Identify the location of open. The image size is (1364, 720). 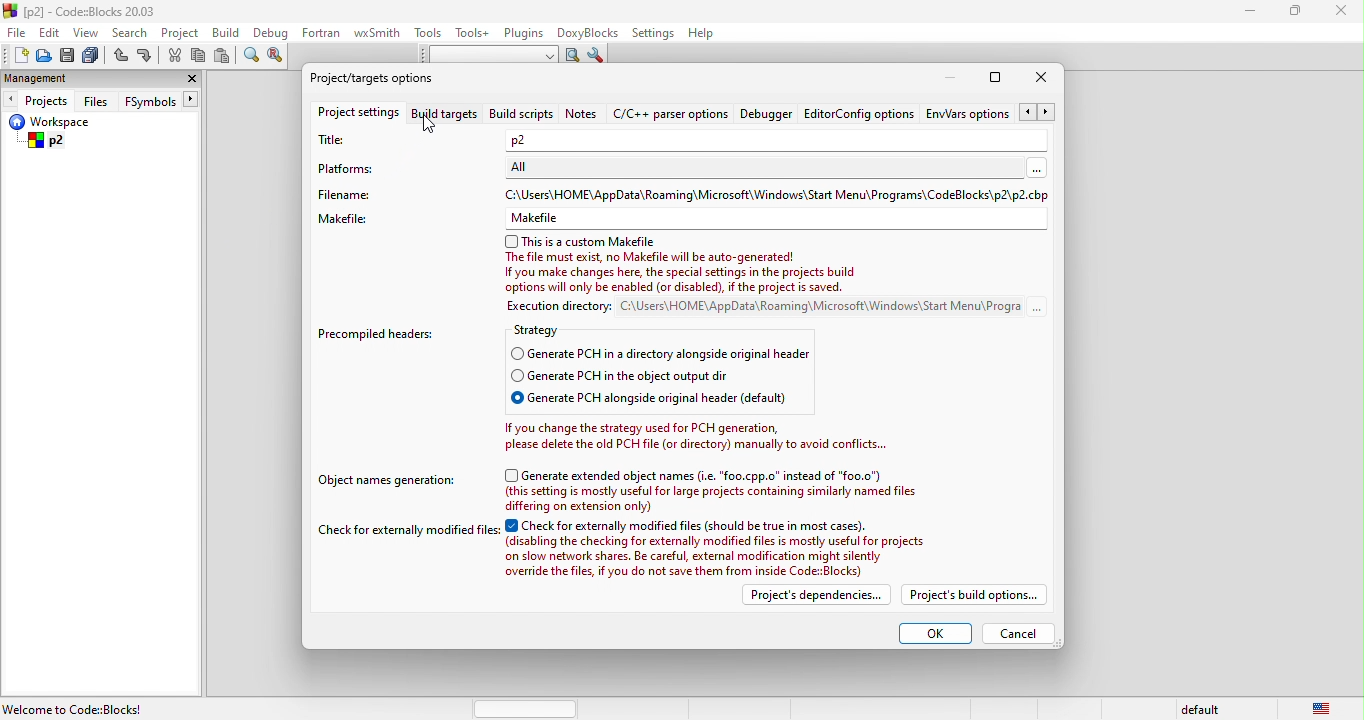
(44, 56).